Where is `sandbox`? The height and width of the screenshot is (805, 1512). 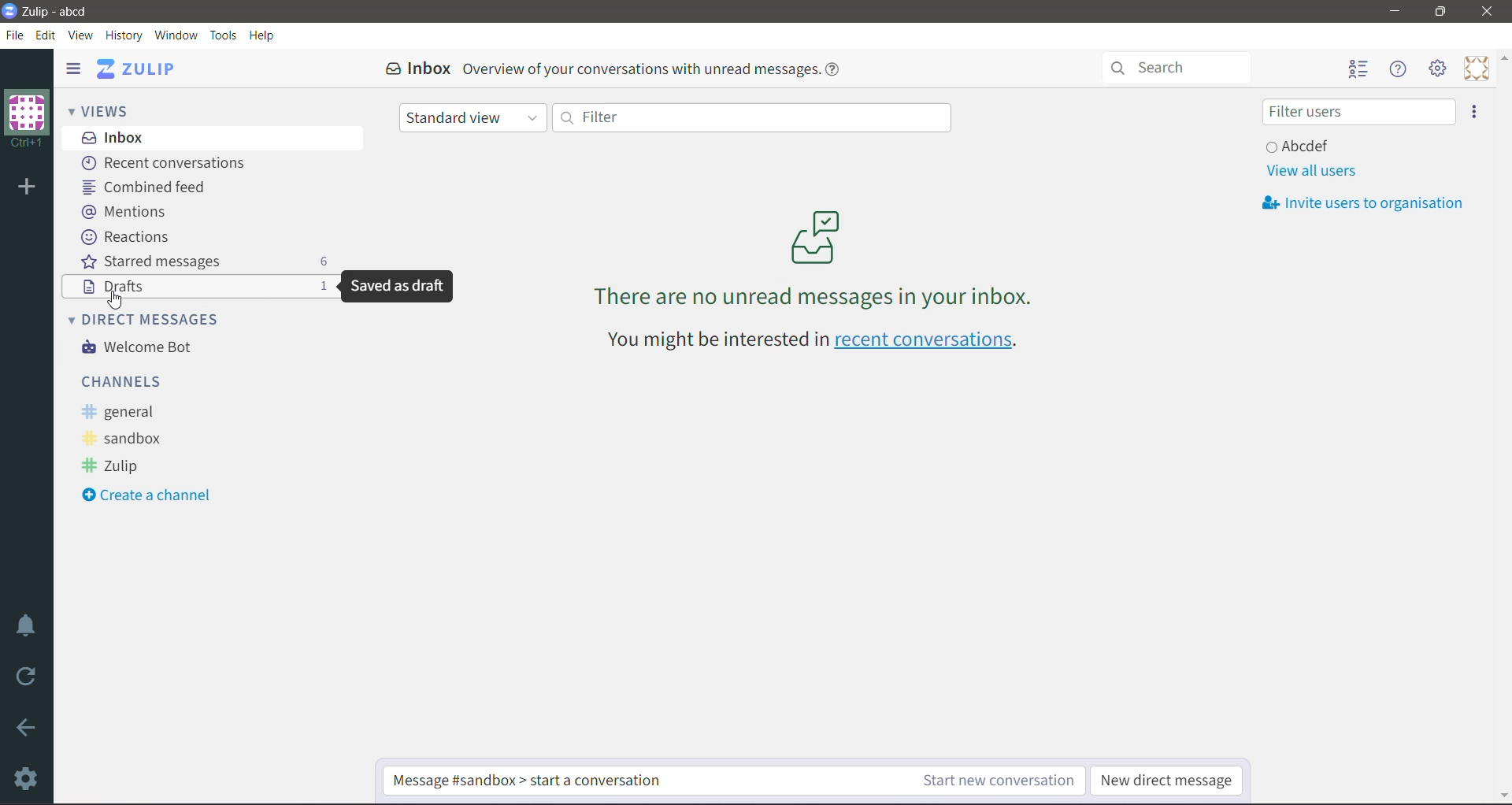 sandbox is located at coordinates (128, 440).